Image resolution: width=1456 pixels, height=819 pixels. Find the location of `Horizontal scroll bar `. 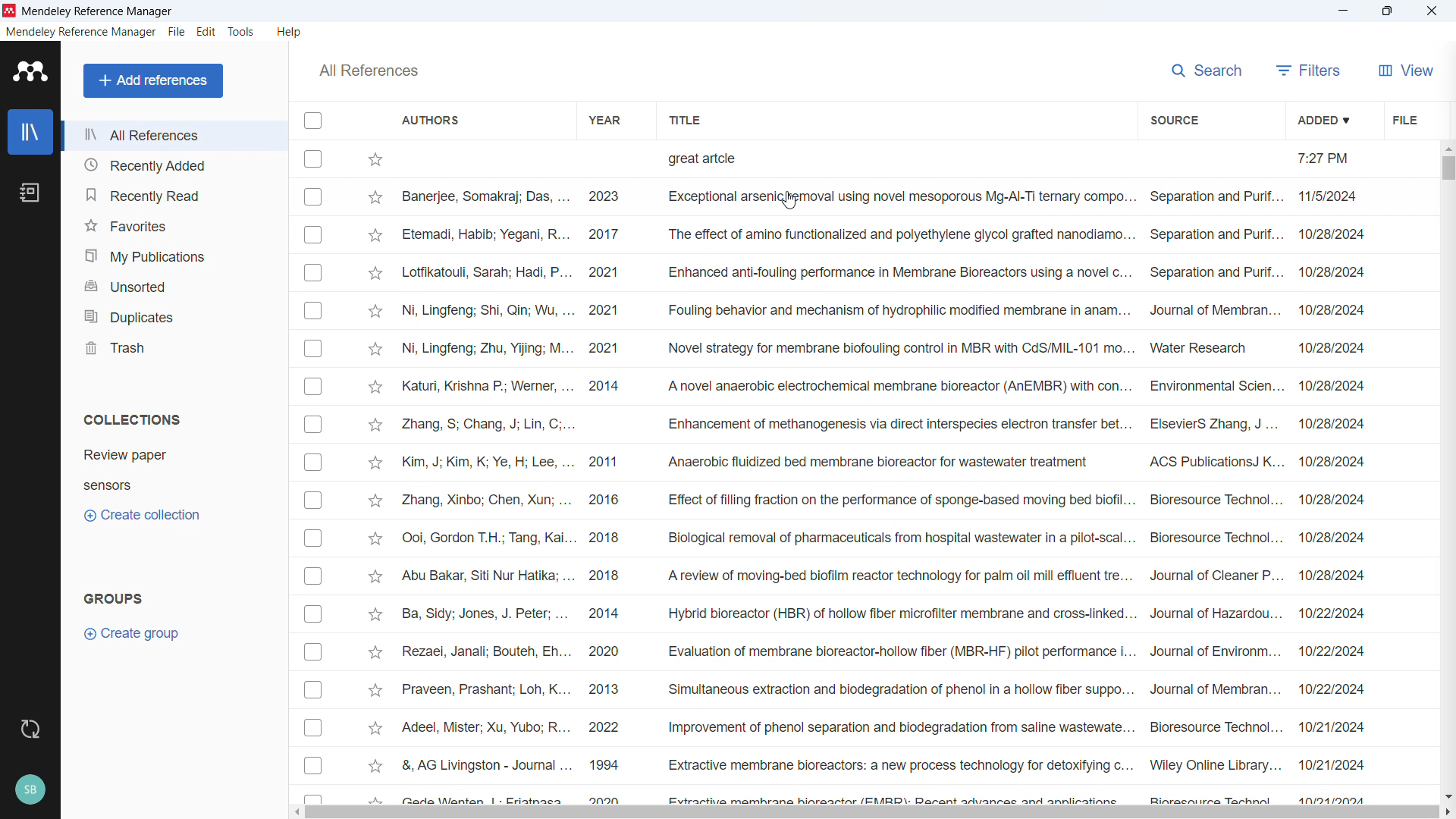

Horizontal scroll bar  is located at coordinates (871, 813).